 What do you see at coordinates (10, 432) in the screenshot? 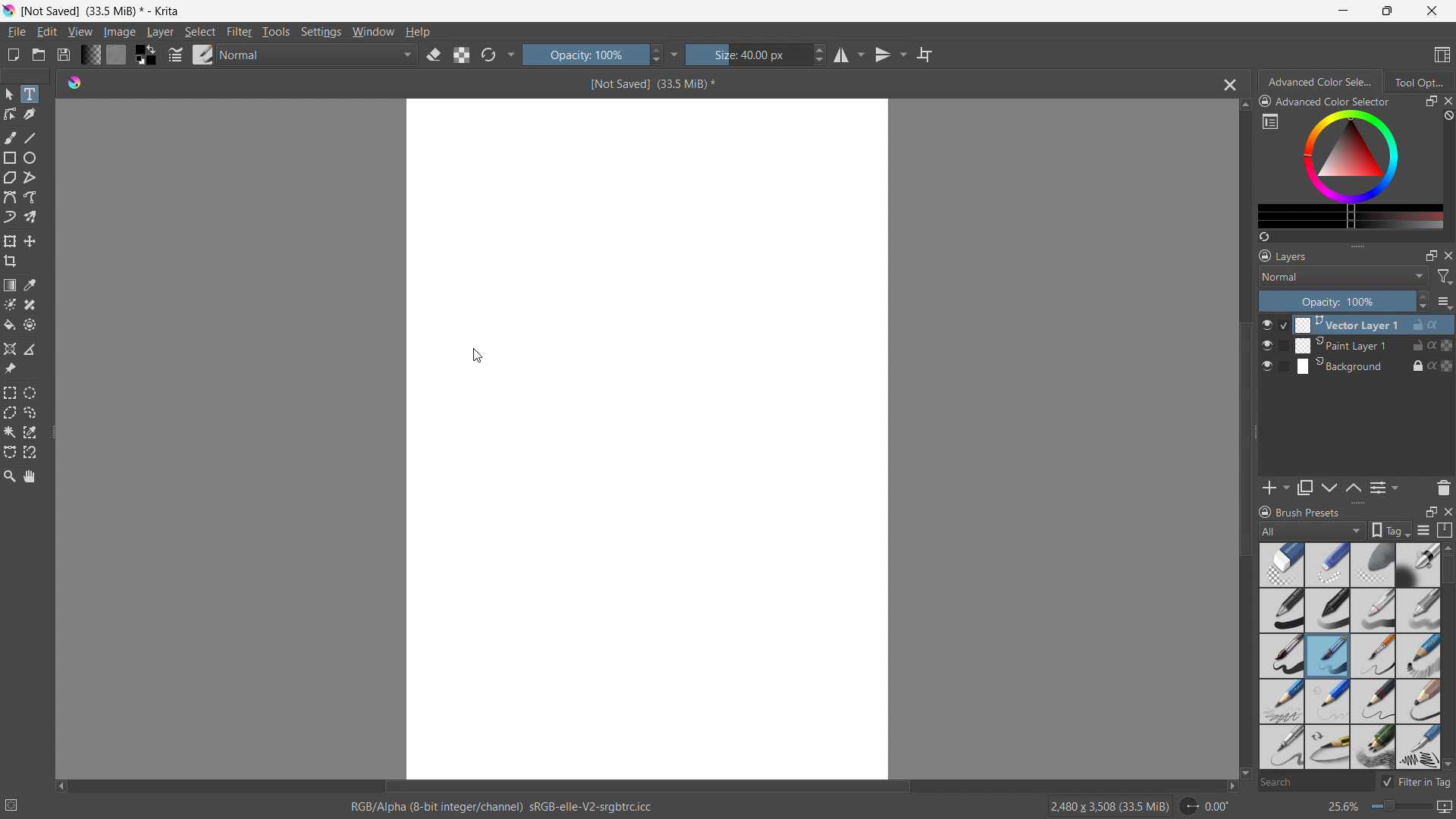
I see `contigious selection tool` at bounding box center [10, 432].